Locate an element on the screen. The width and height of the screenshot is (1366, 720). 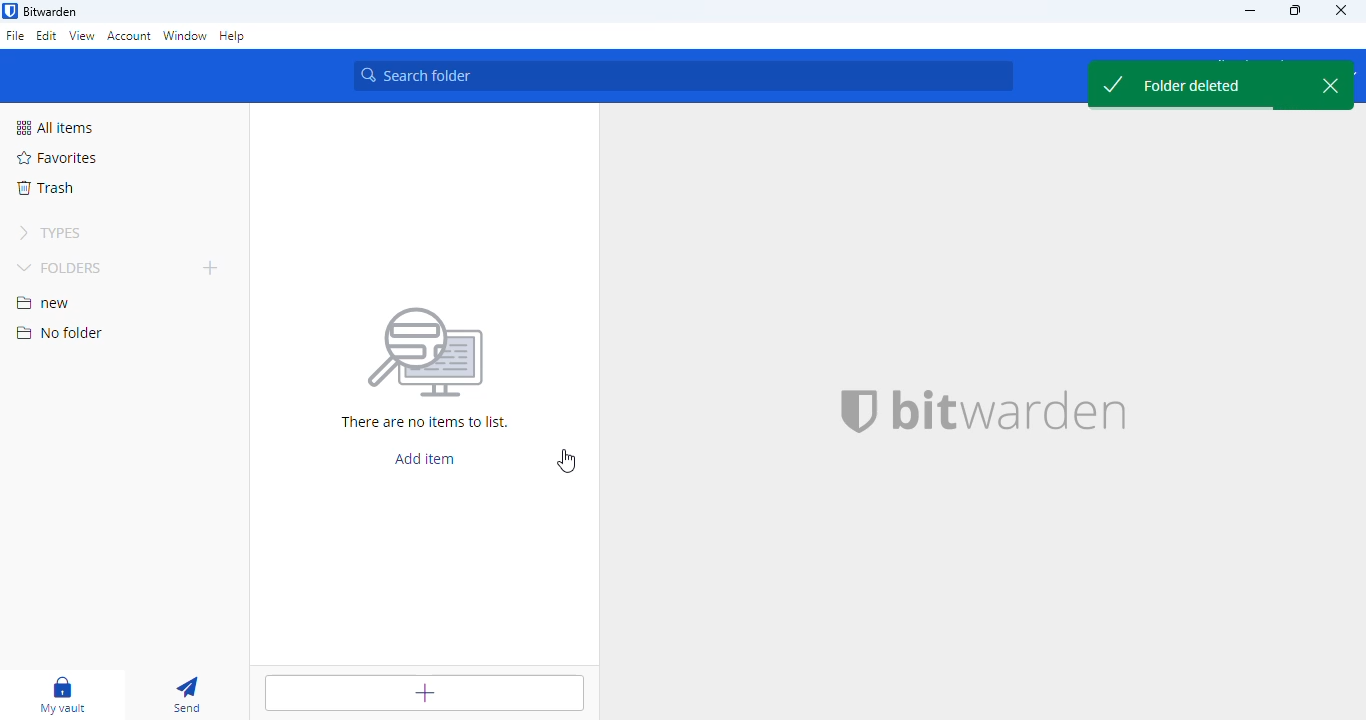
add item is located at coordinates (424, 693).